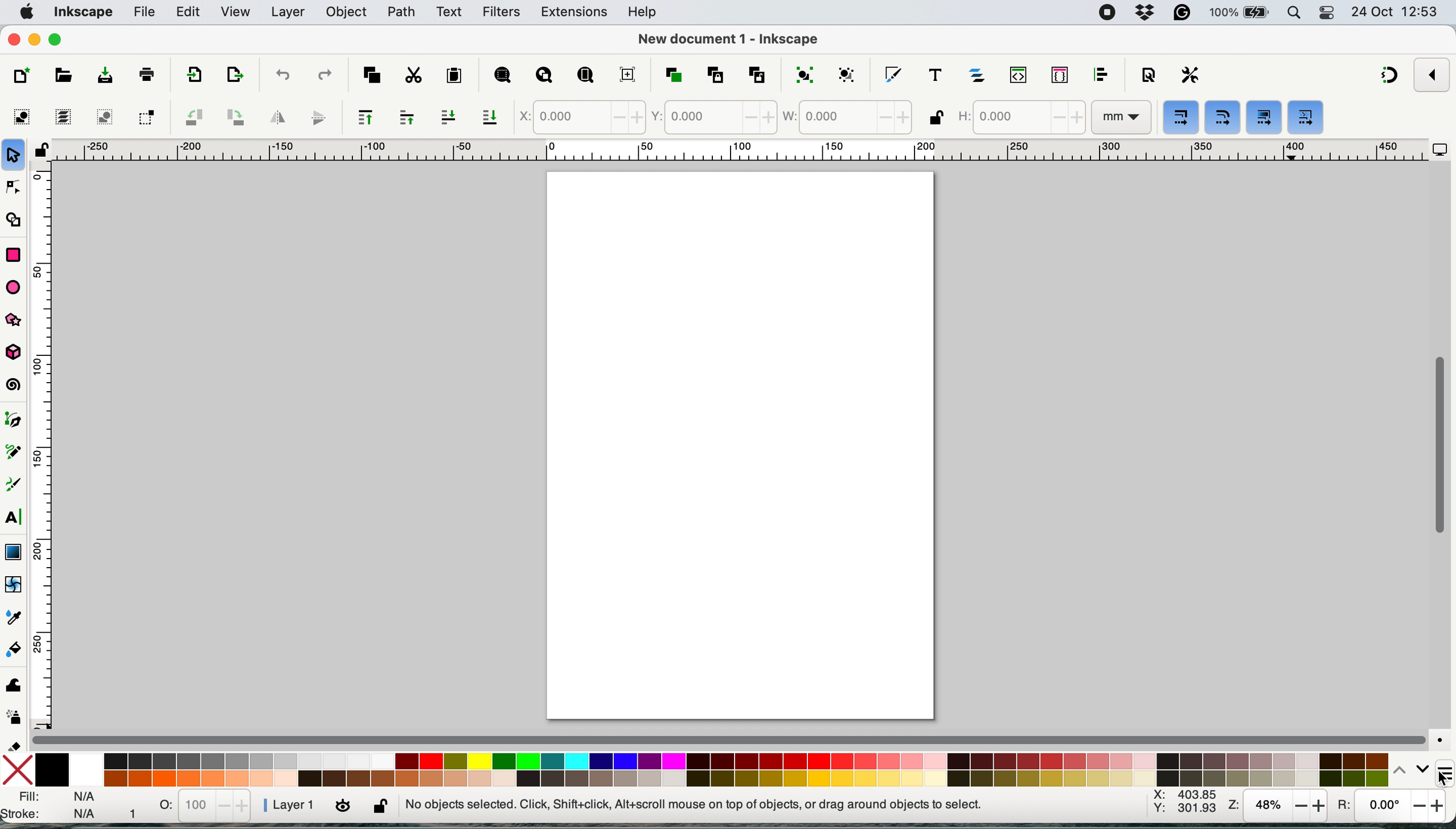  Describe the element at coordinates (44, 445) in the screenshot. I see `vertical scale` at that location.